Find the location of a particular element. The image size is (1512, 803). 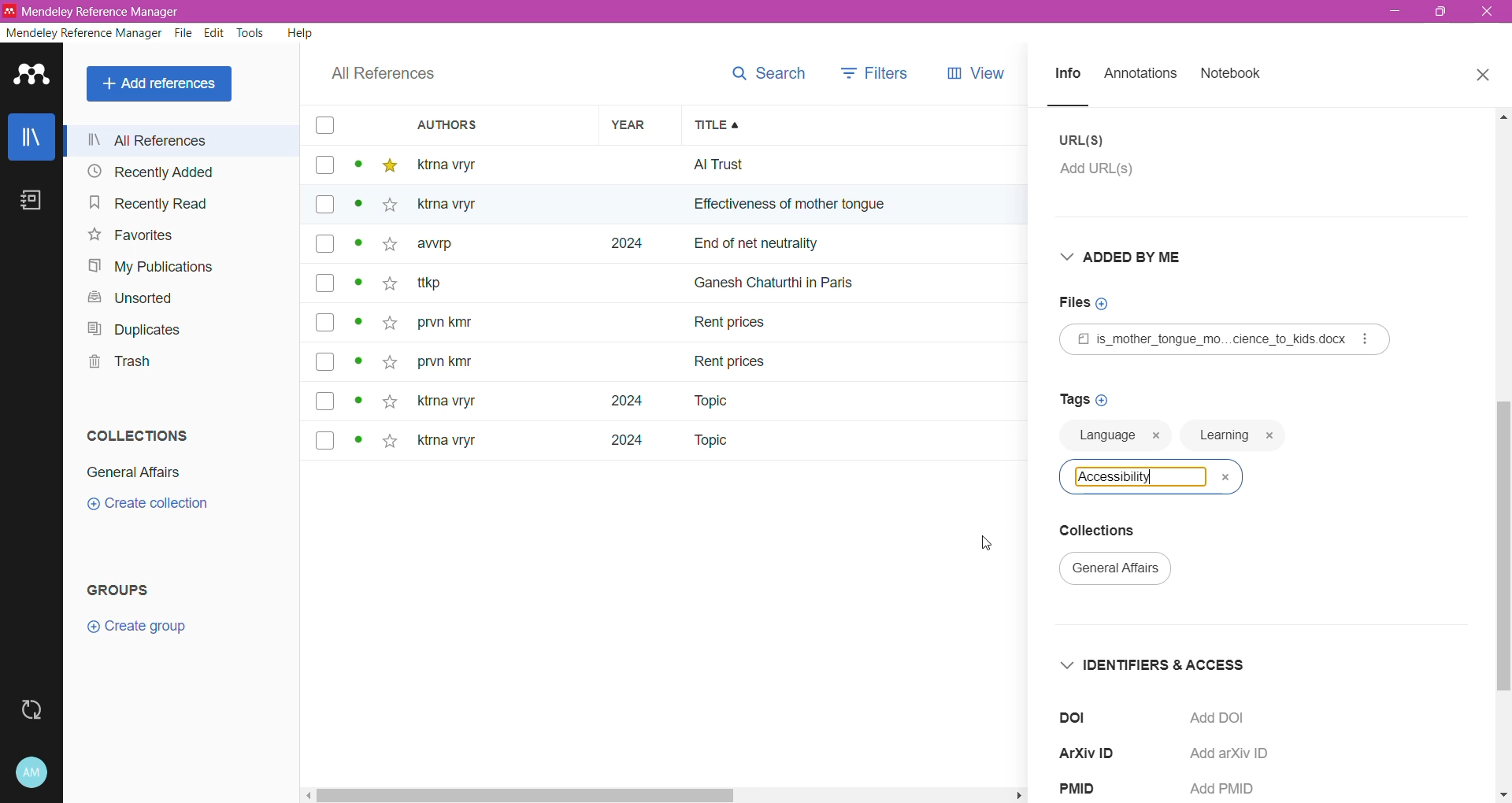

File is located at coordinates (185, 33).